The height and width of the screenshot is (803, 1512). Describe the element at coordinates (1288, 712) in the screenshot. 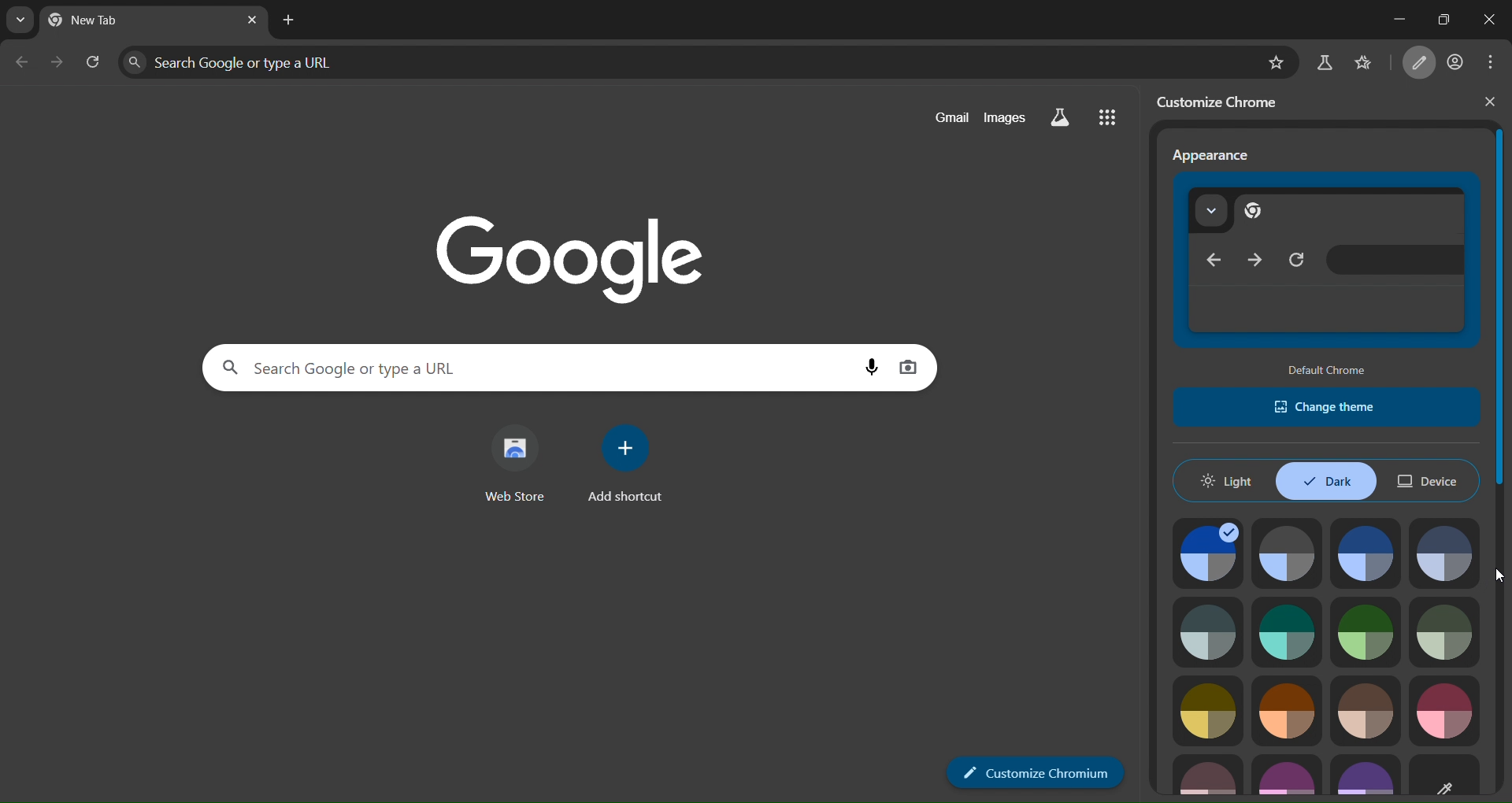

I see `image` at that location.